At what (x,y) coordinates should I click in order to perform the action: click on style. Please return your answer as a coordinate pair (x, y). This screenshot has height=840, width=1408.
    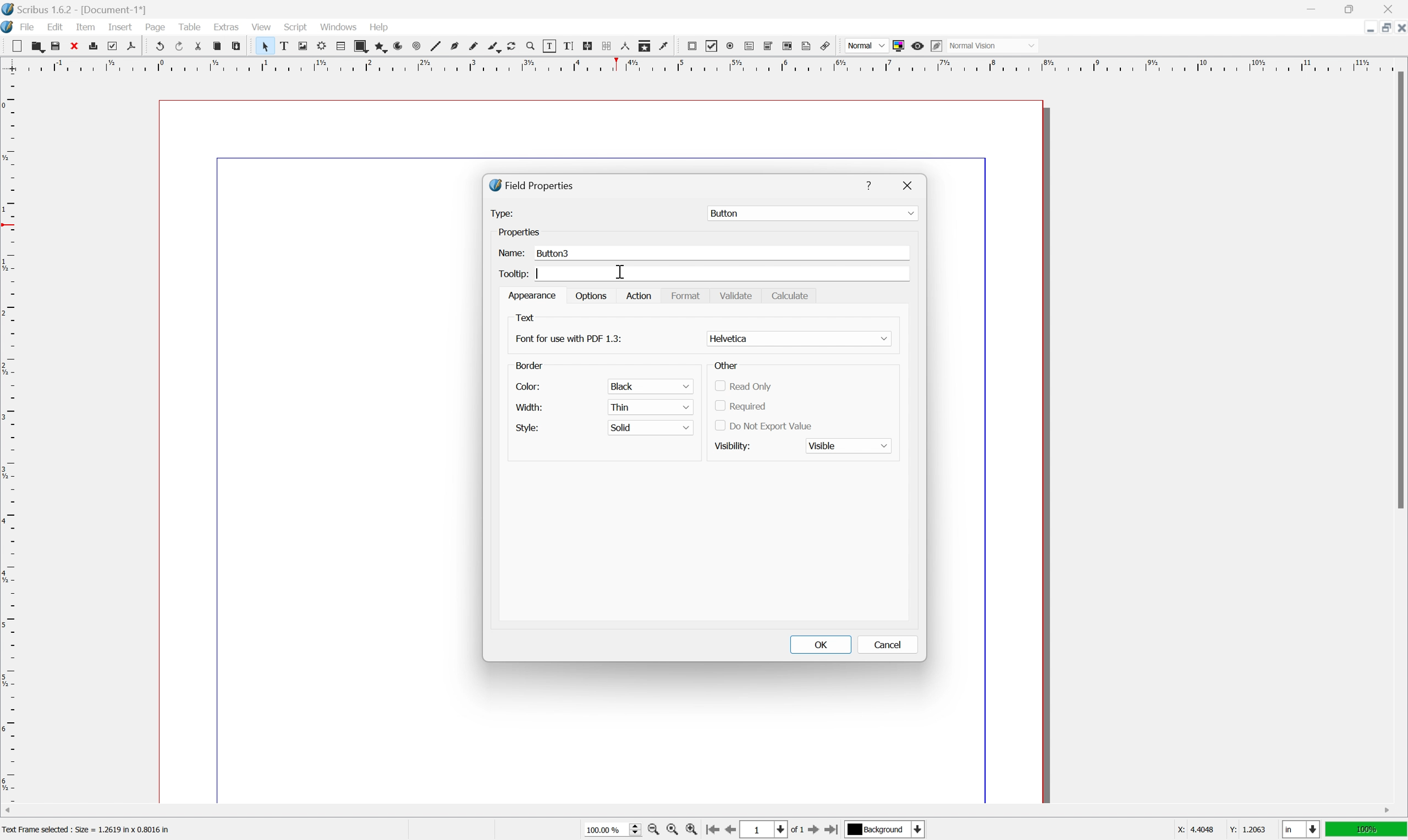
    Looking at the image, I should click on (527, 429).